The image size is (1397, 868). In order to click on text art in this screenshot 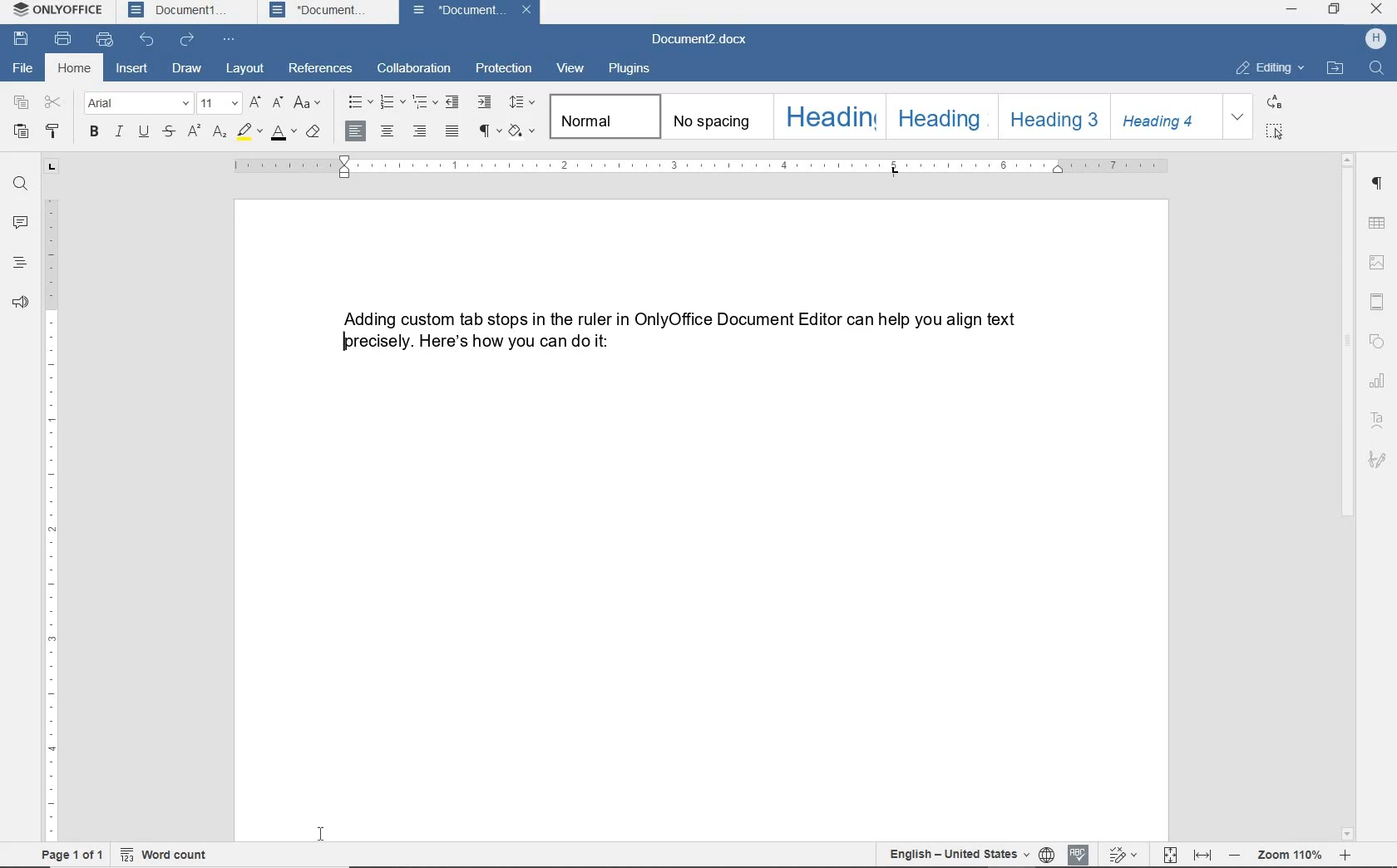, I will do `click(1379, 420)`.